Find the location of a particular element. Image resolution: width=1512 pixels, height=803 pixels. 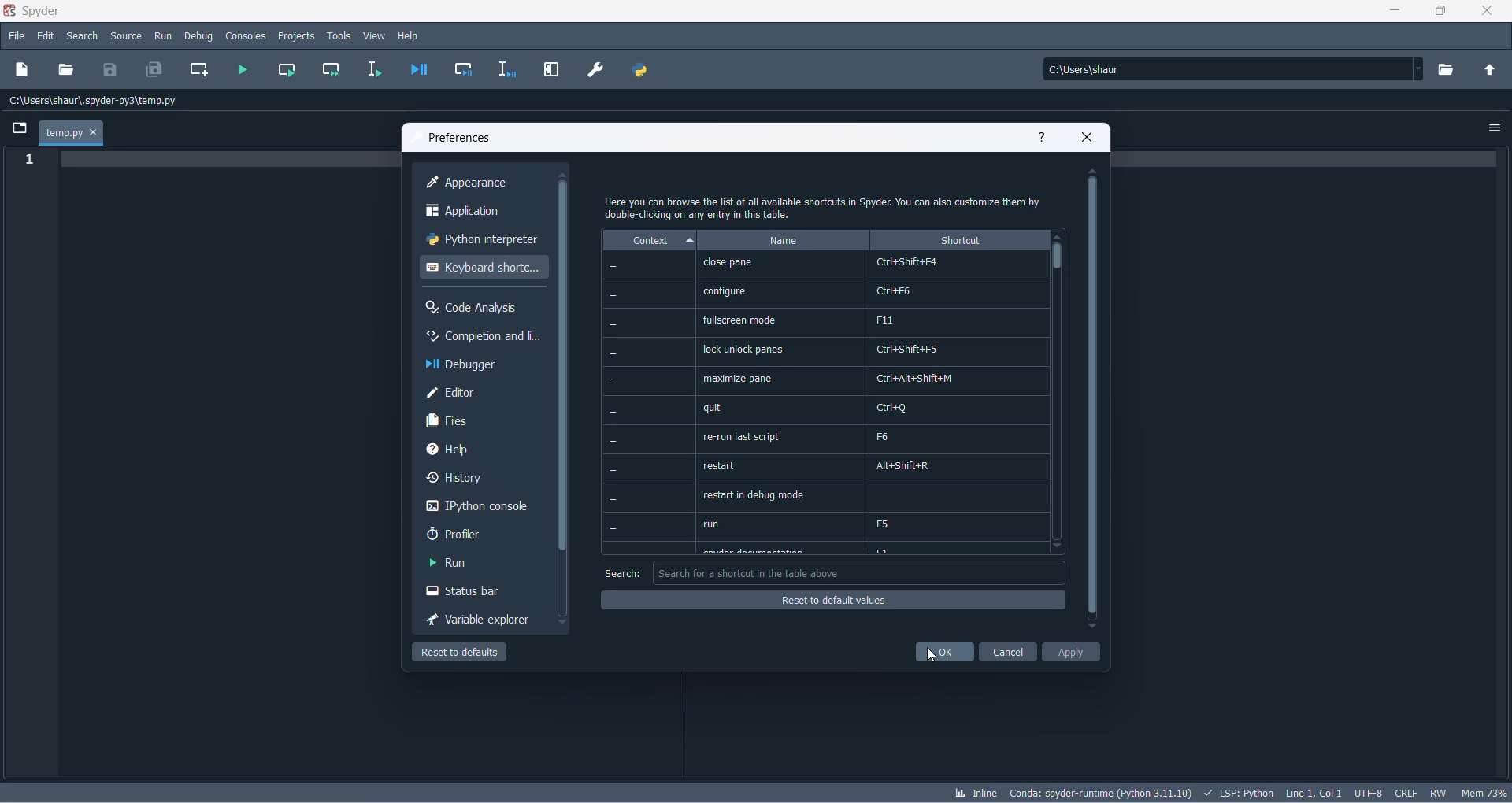

completion is located at coordinates (483, 338).